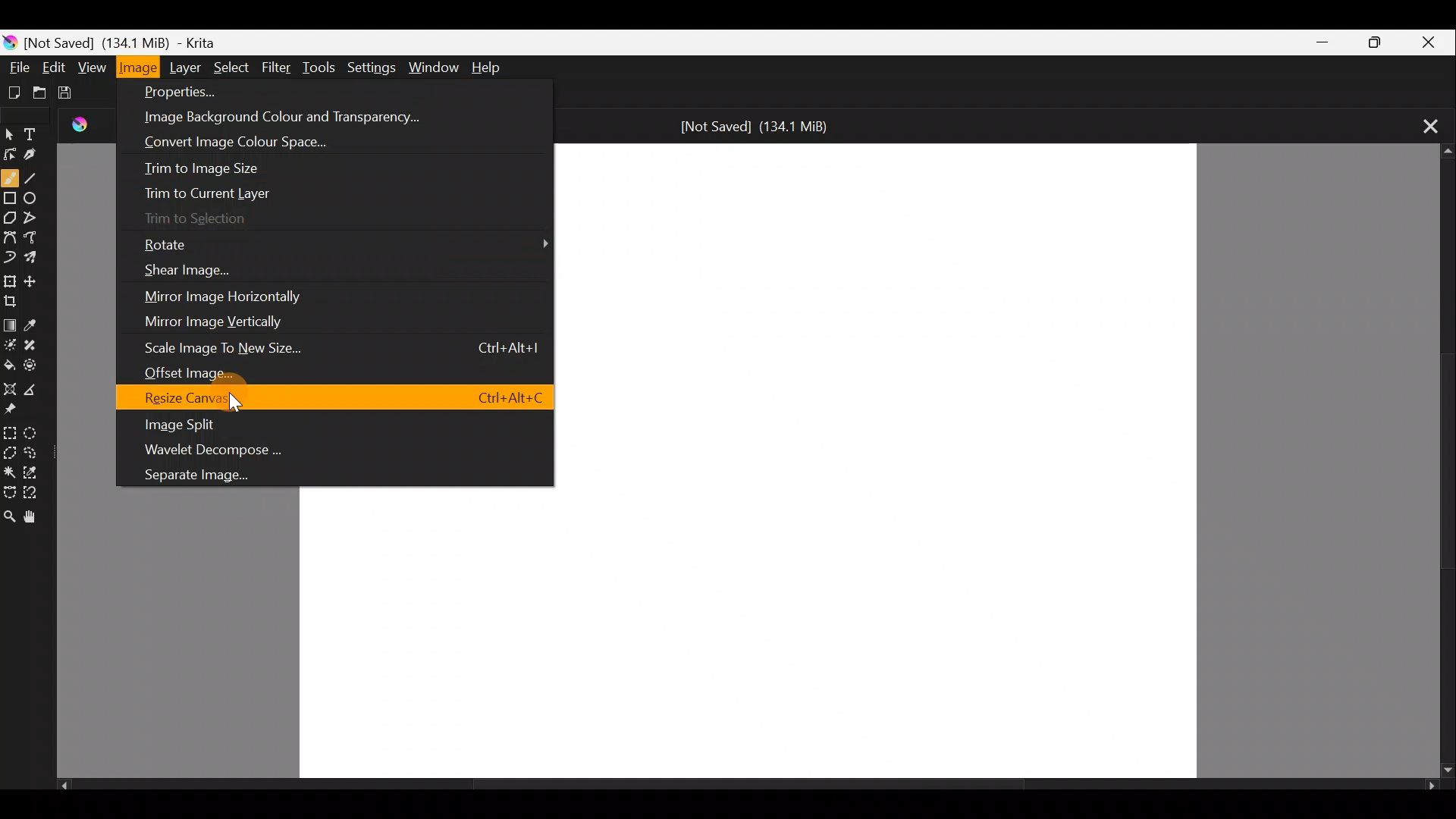  What do you see at coordinates (37, 494) in the screenshot?
I see `Magnetic curve selection tool` at bounding box center [37, 494].